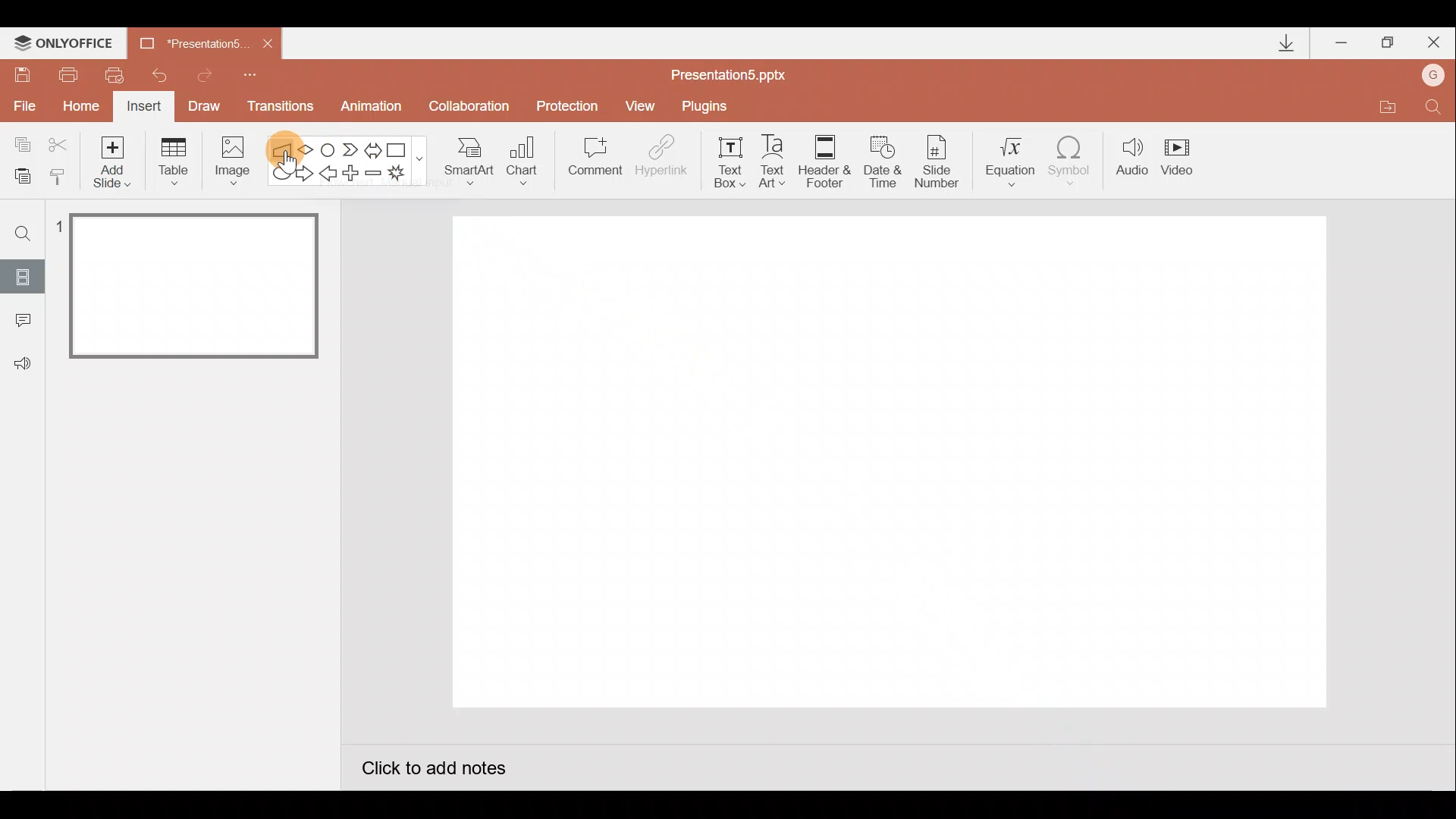  Describe the element at coordinates (278, 108) in the screenshot. I see `Transitions` at that location.